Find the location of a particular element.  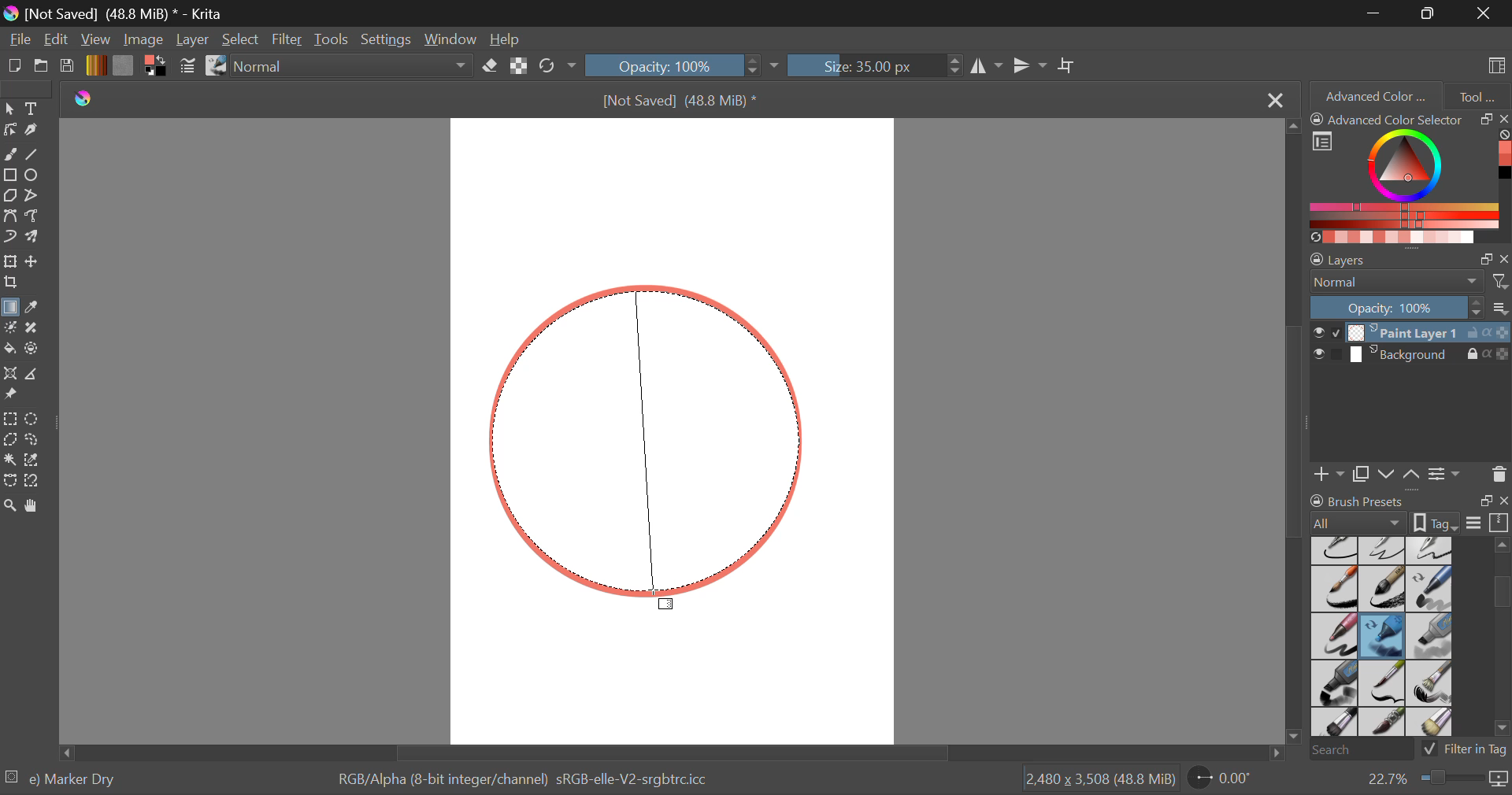

Open is located at coordinates (43, 68).